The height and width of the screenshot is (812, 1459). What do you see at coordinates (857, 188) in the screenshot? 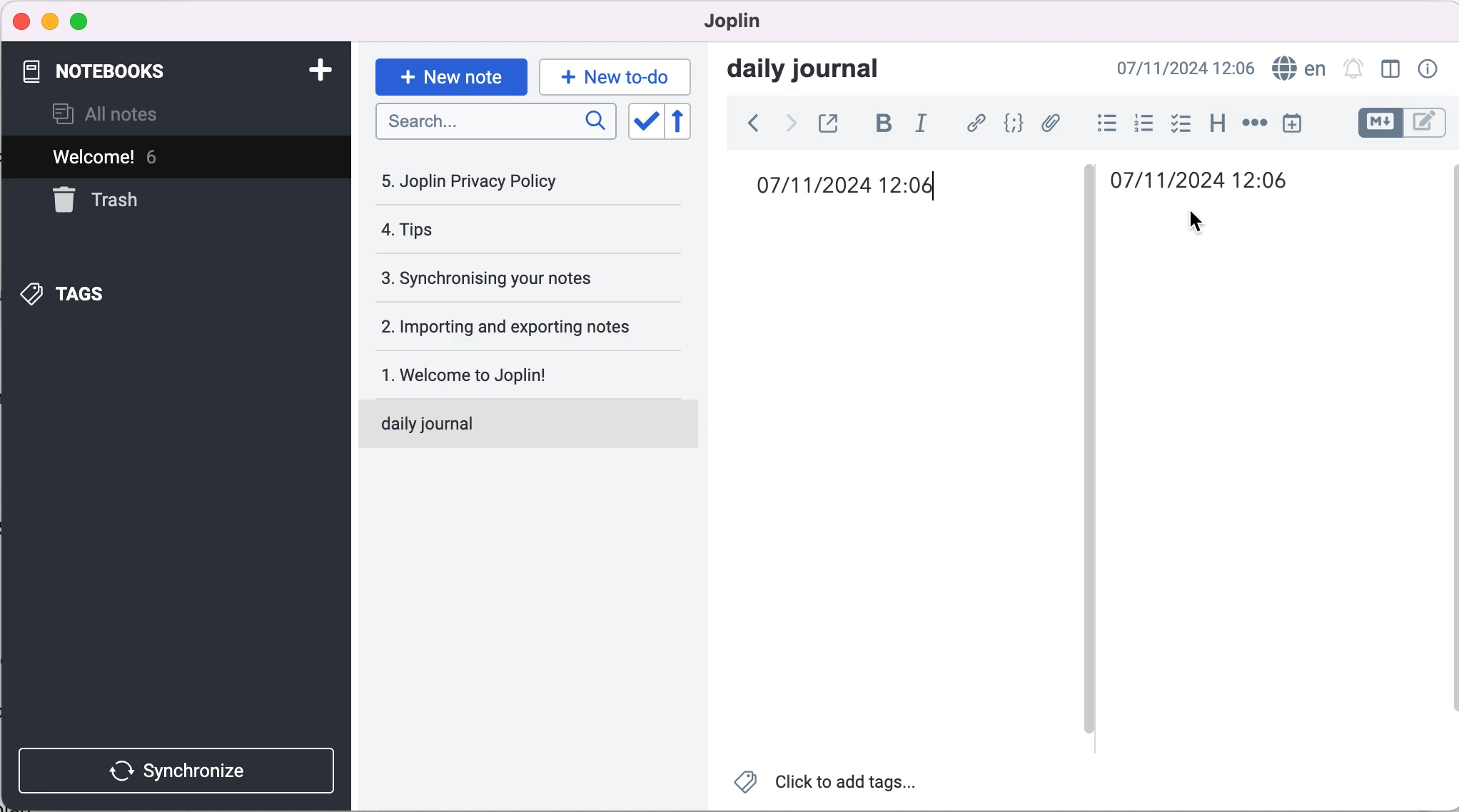
I see `time and date` at bounding box center [857, 188].